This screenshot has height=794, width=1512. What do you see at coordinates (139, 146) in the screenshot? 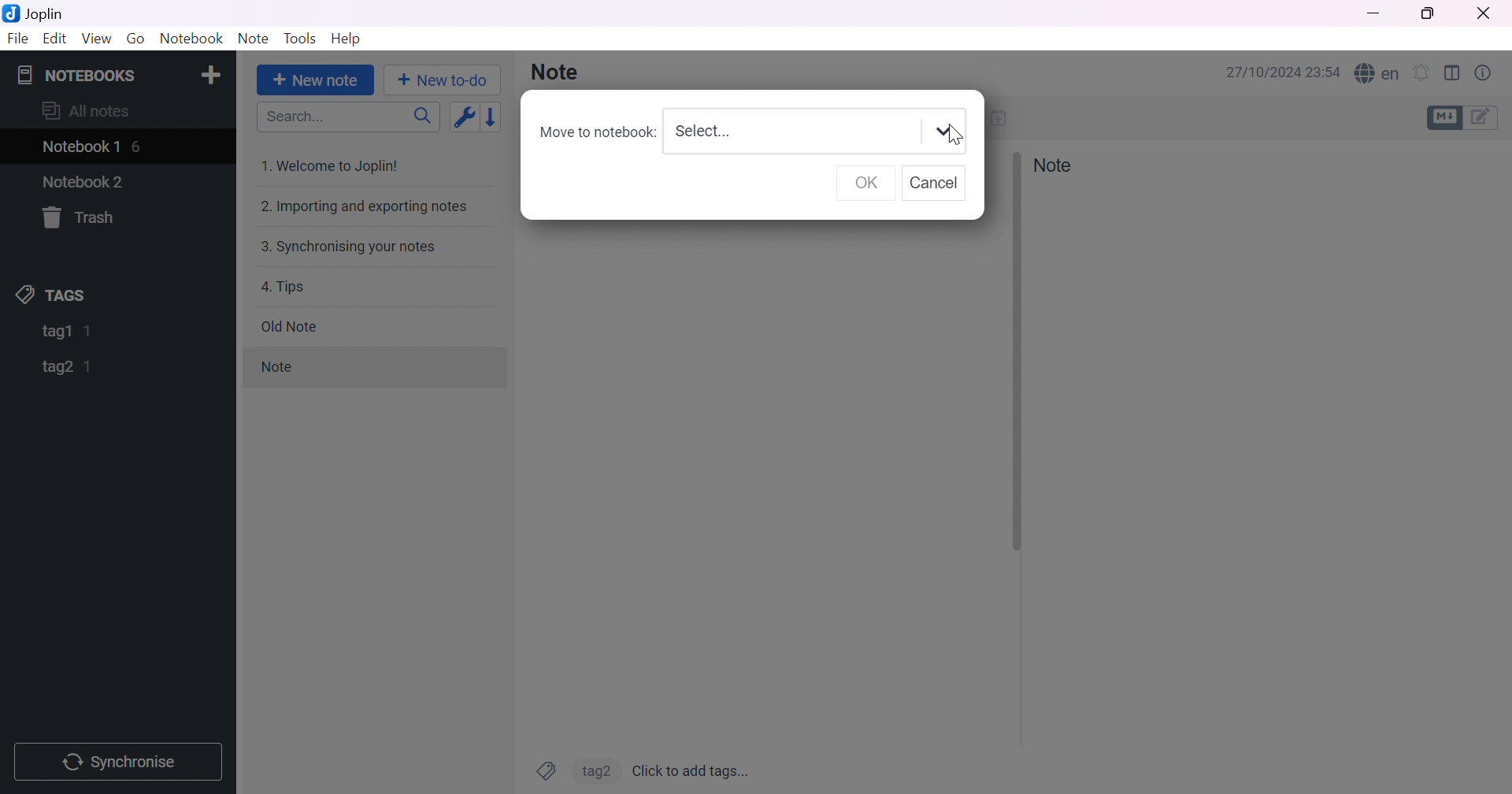
I see `6` at bounding box center [139, 146].